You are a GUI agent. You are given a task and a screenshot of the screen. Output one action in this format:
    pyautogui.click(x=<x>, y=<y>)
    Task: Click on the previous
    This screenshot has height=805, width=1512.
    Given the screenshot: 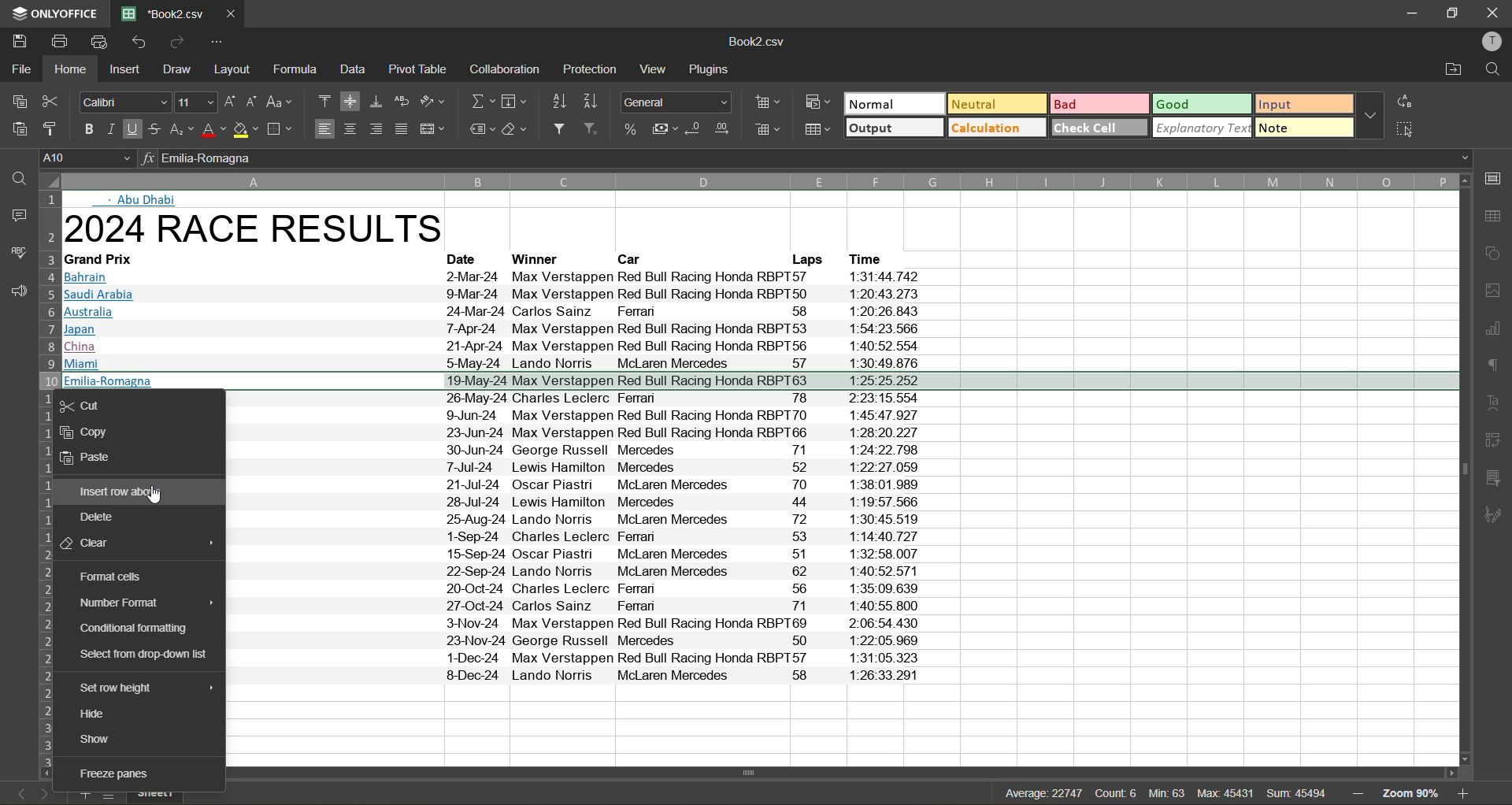 What is the action you would take?
    pyautogui.click(x=13, y=794)
    